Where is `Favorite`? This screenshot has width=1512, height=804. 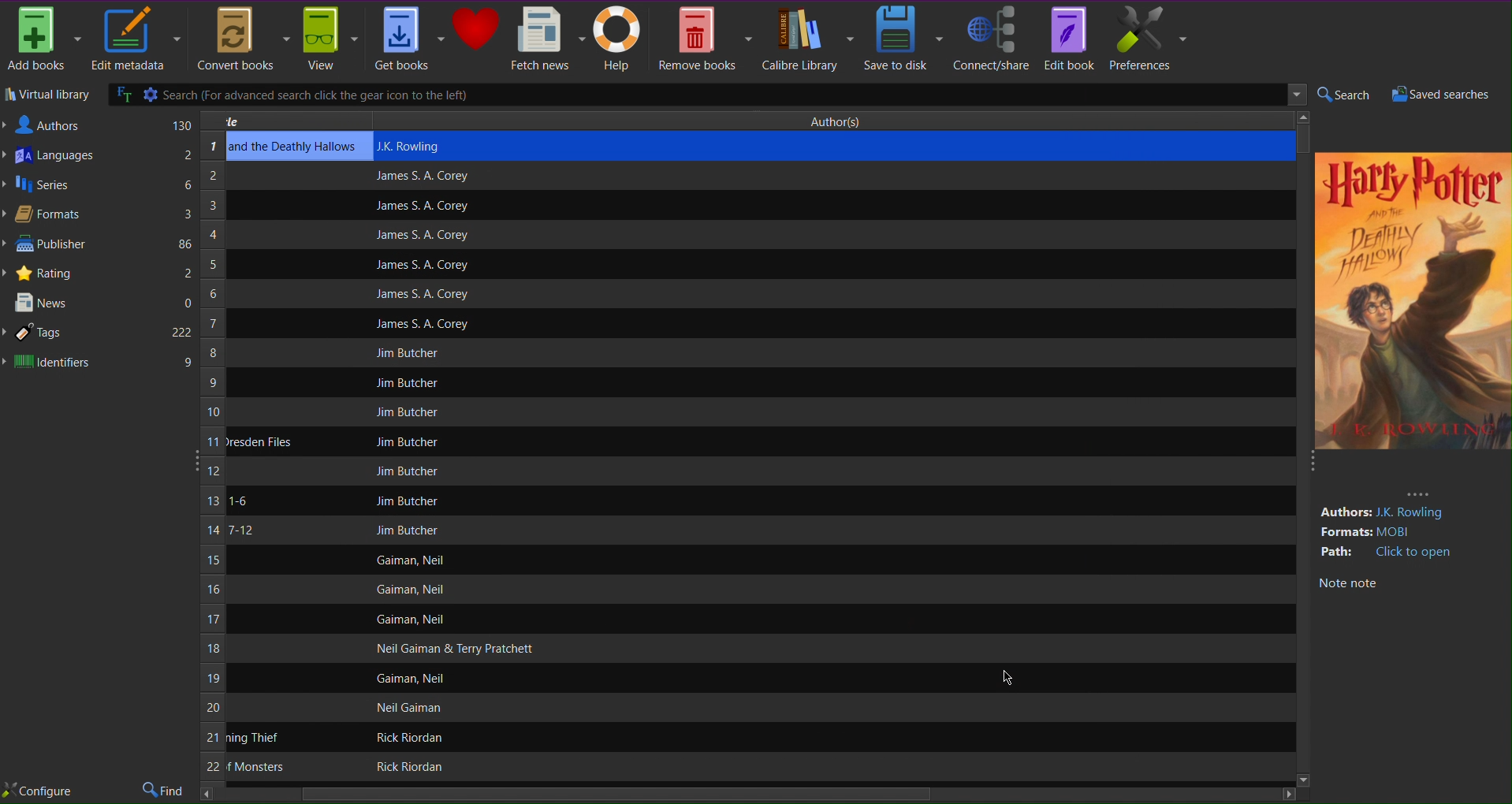 Favorite is located at coordinates (476, 29).